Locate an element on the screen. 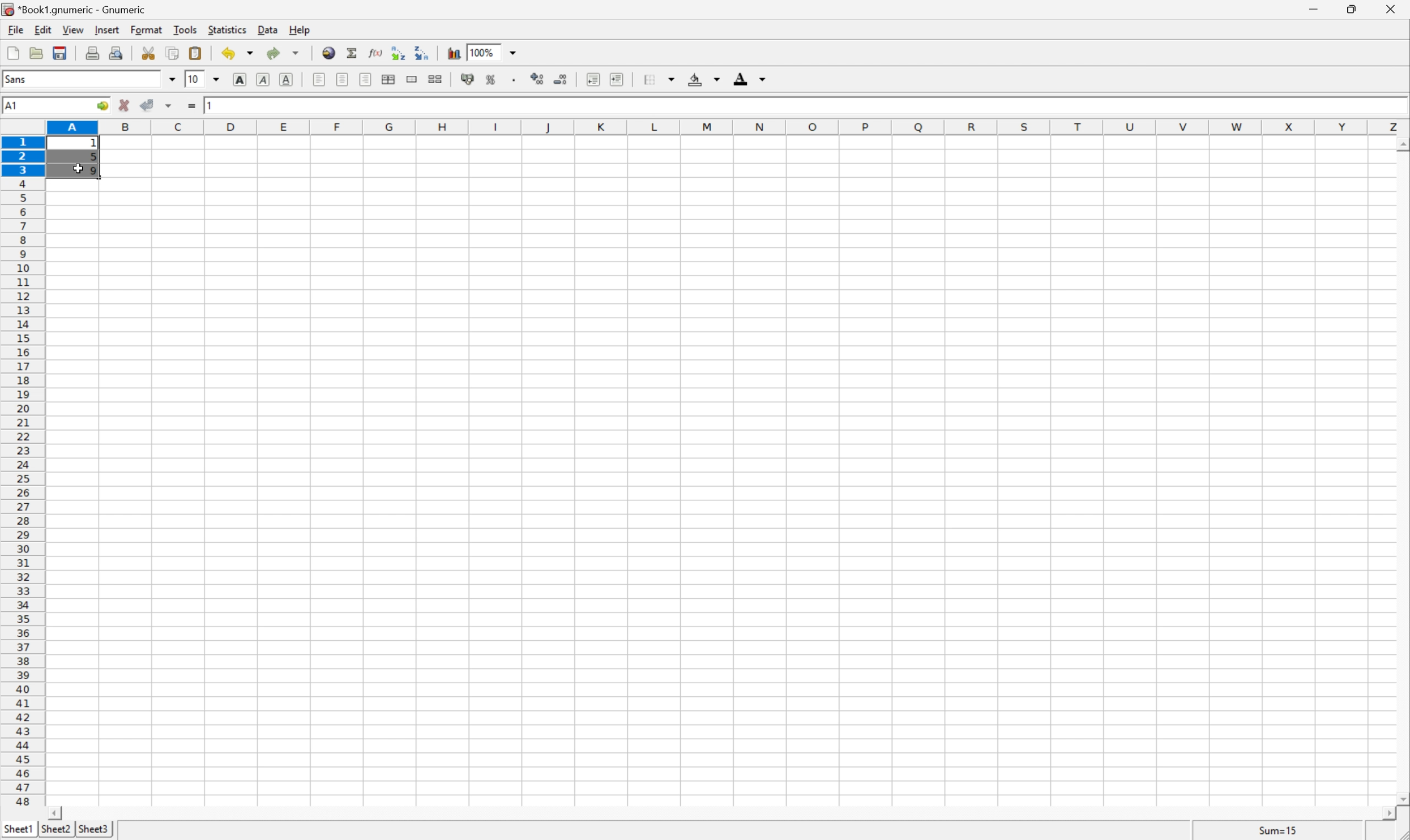 This screenshot has height=840, width=1410. underline is located at coordinates (288, 80).